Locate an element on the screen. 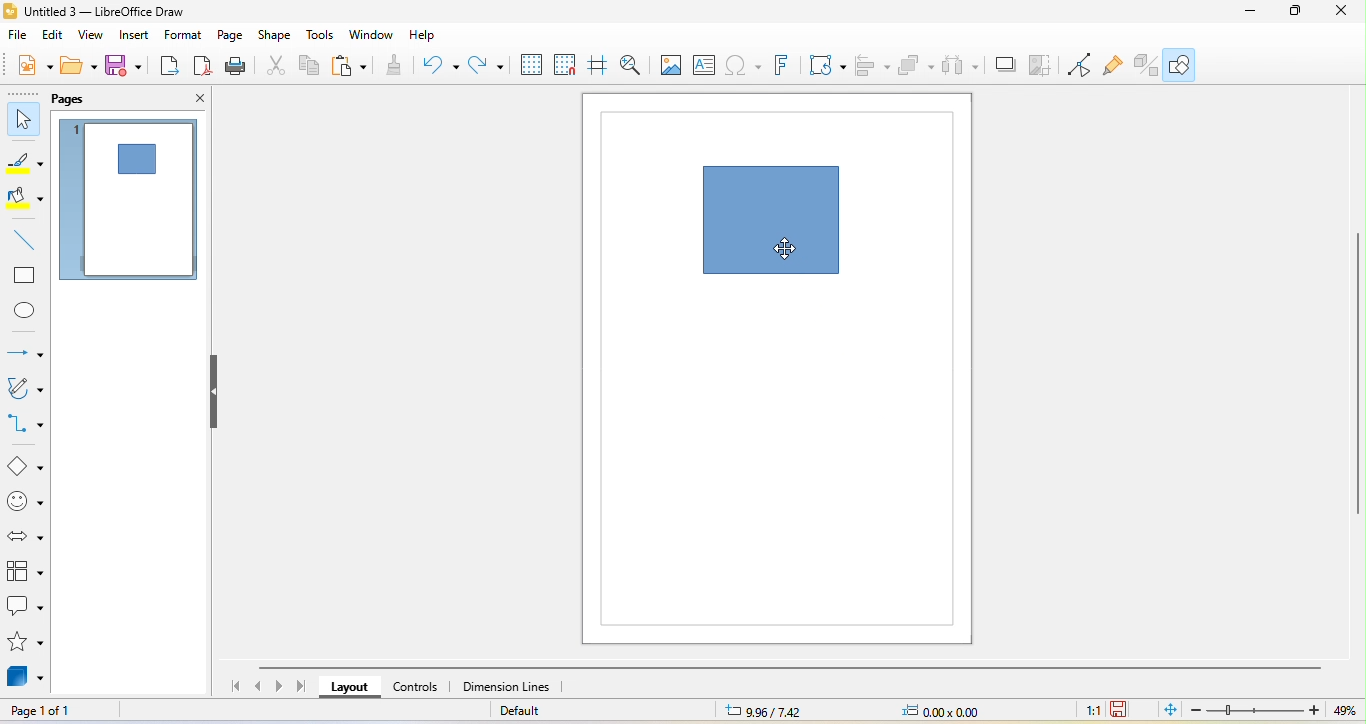 The image size is (1366, 724). crop image is located at coordinates (1041, 66).